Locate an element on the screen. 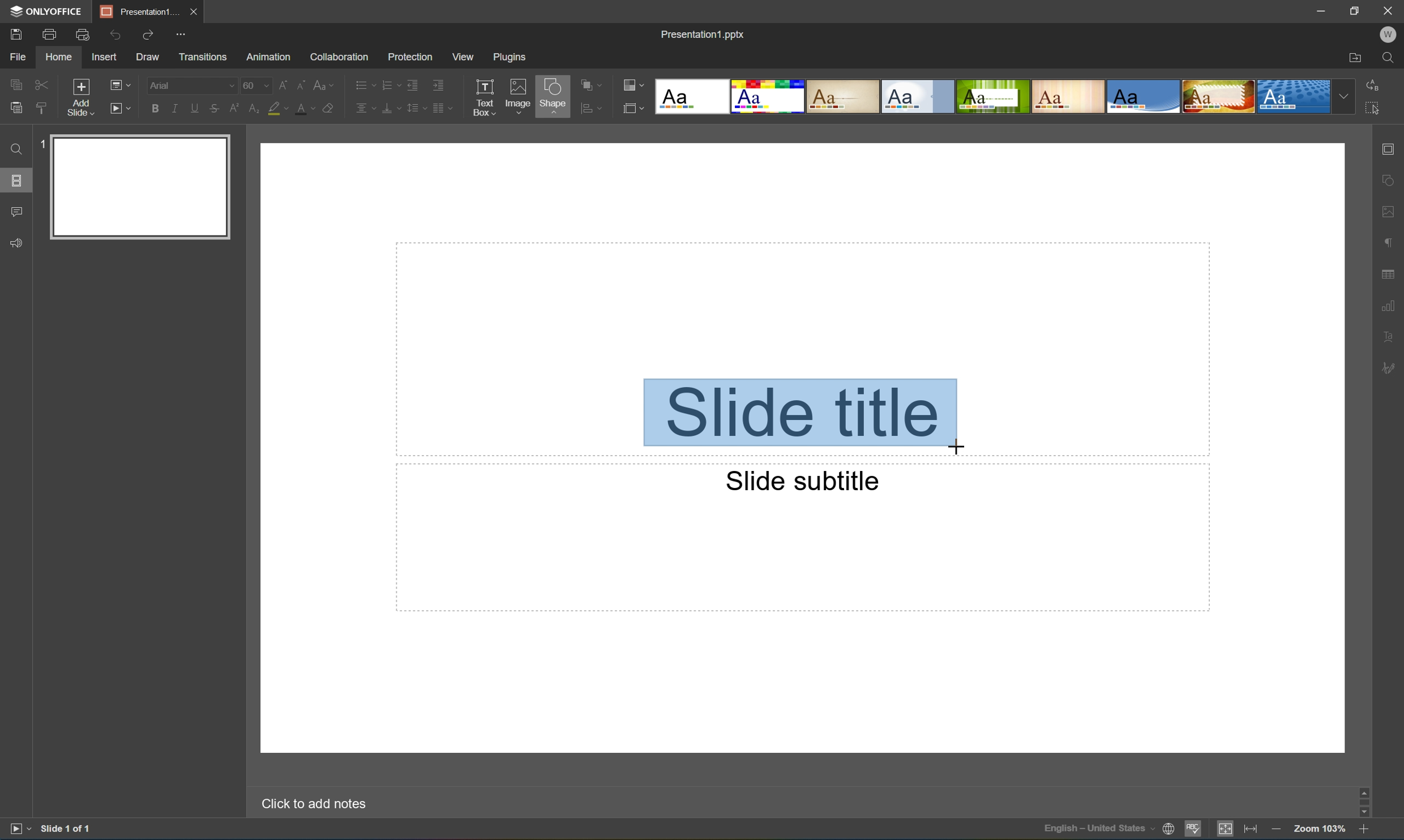  Underline is located at coordinates (194, 108).